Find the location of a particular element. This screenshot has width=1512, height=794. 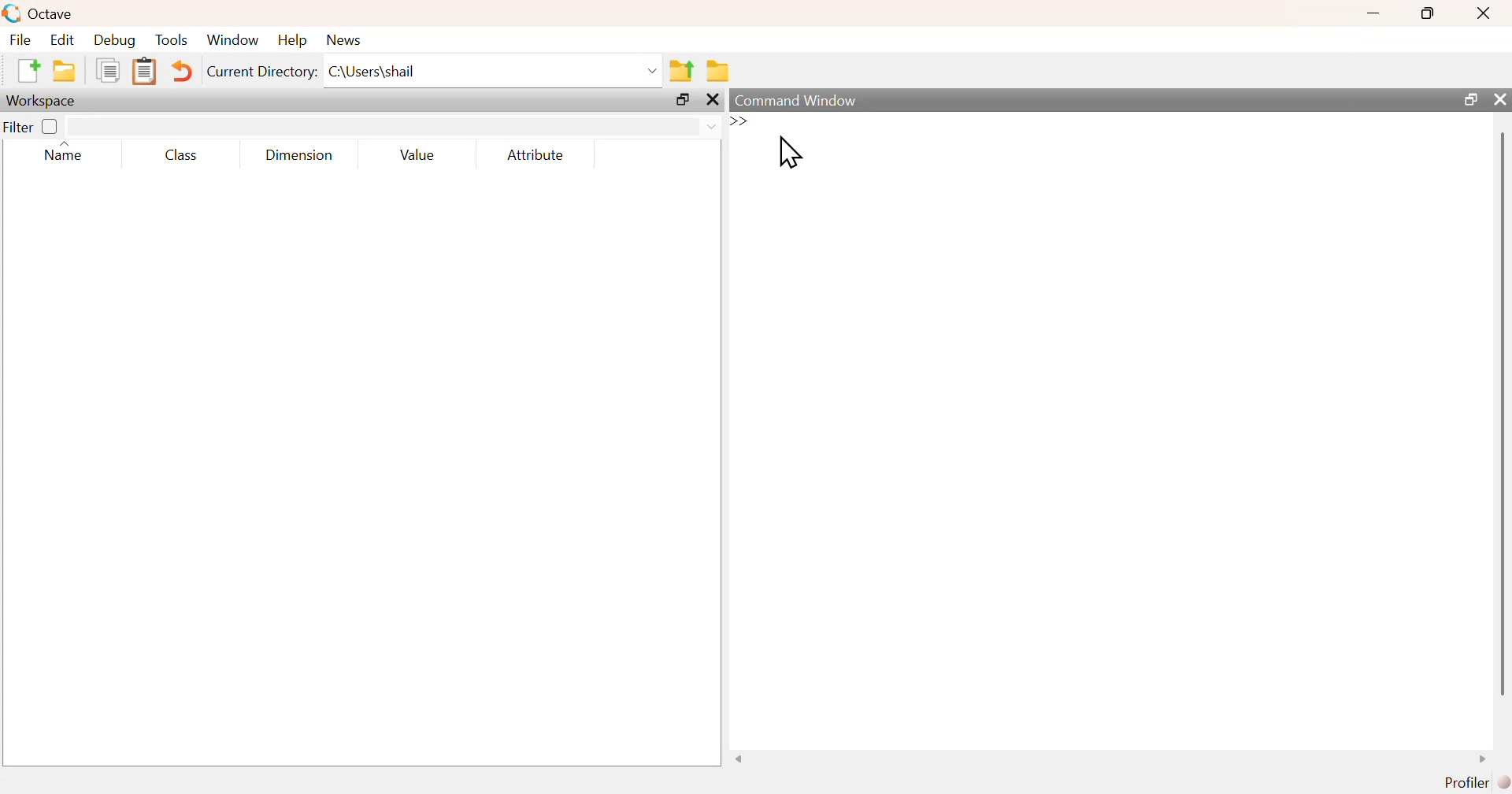

Octave is located at coordinates (52, 13).